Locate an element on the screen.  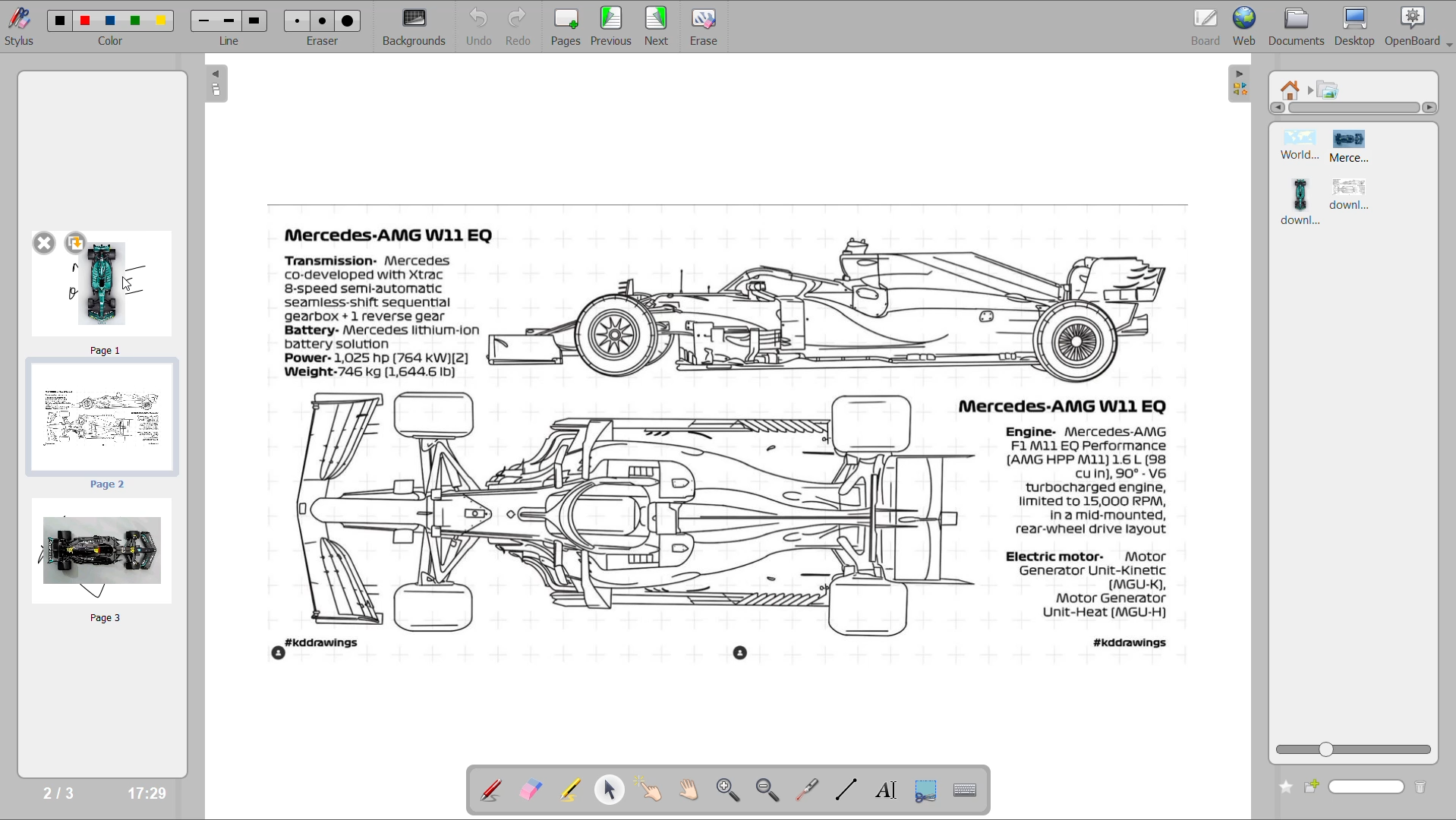
eraser is located at coordinates (329, 43).